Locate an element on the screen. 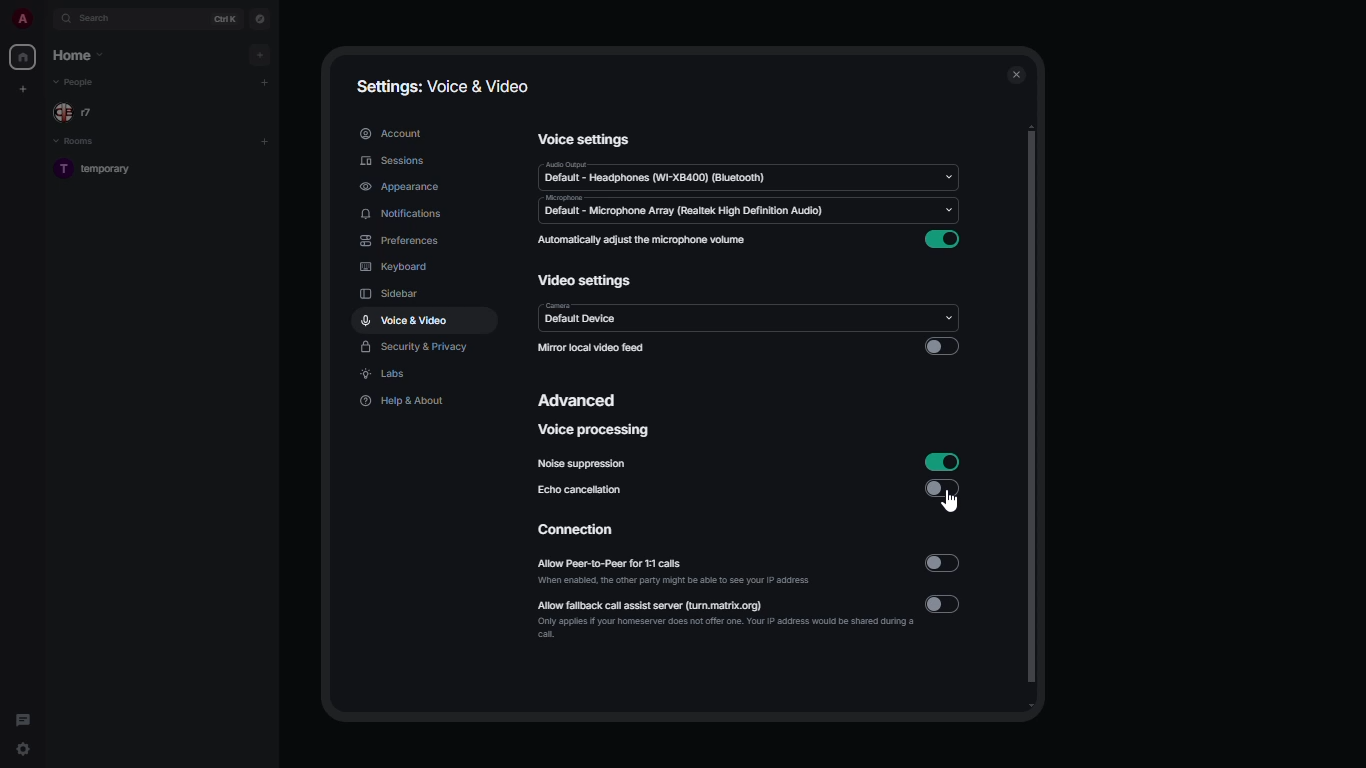 The height and width of the screenshot is (768, 1366). disabled is located at coordinates (941, 345).